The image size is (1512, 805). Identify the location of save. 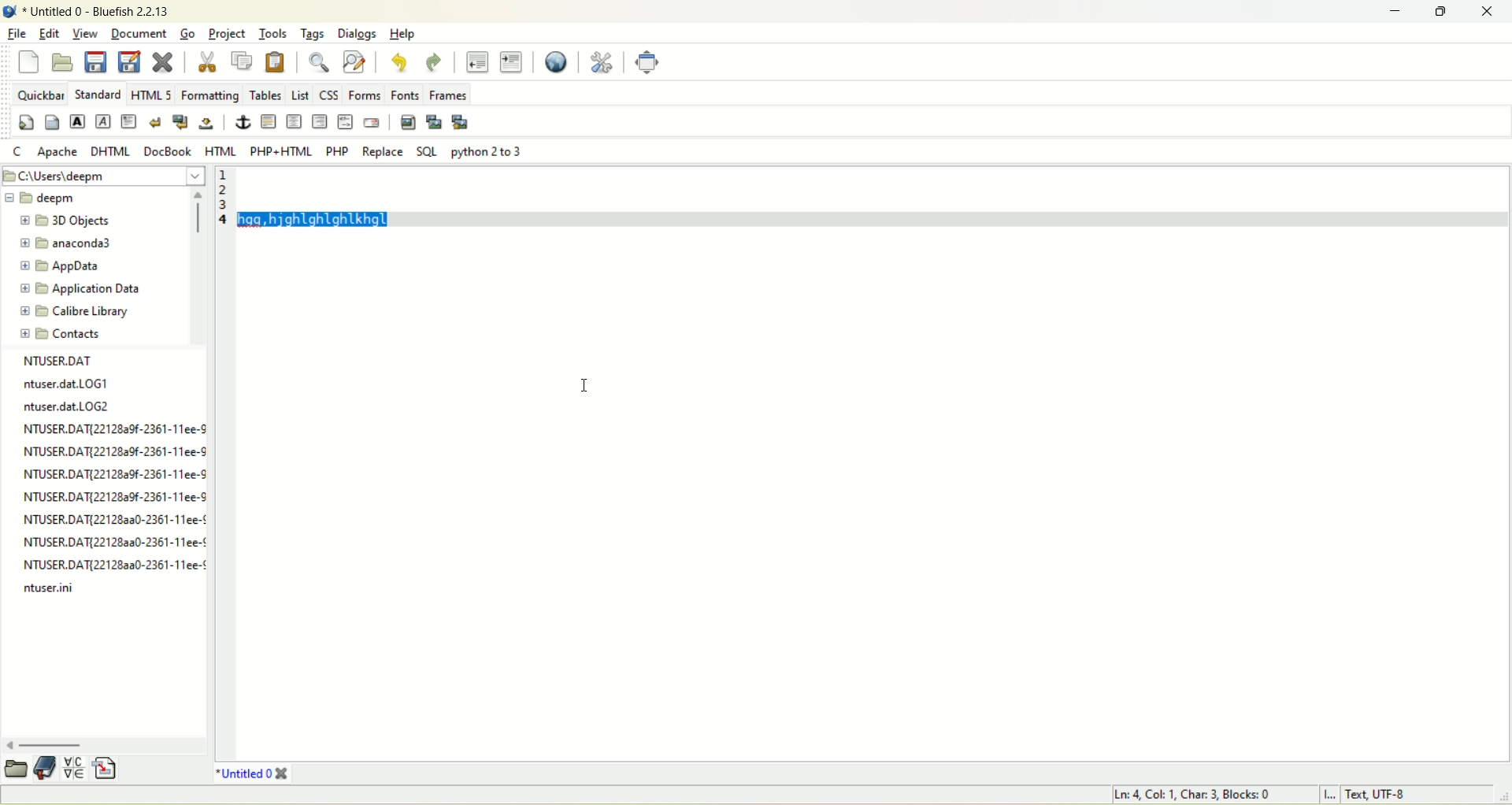
(95, 61).